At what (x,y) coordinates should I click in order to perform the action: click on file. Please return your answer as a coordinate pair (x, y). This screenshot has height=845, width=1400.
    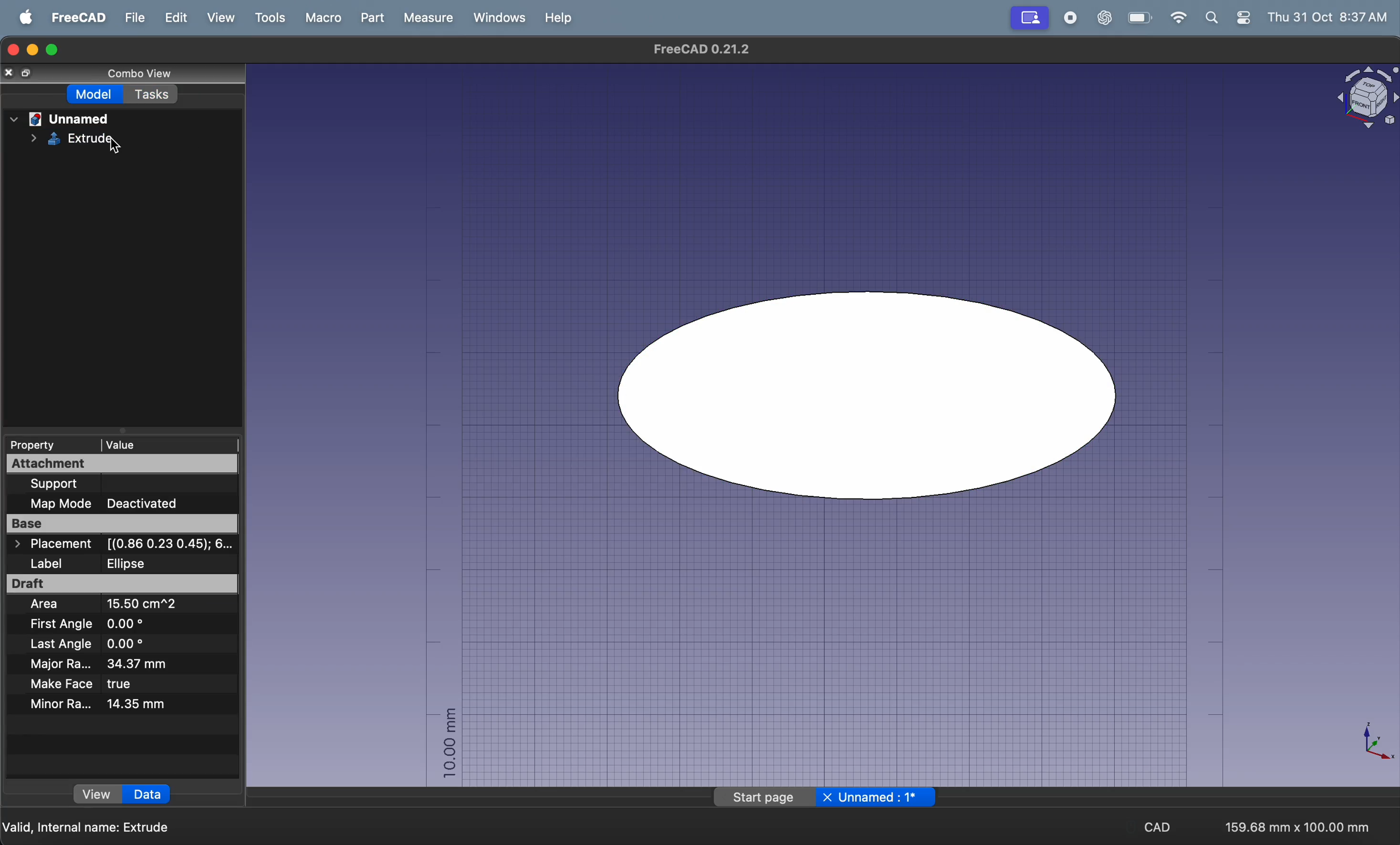
    Looking at the image, I should click on (131, 19).